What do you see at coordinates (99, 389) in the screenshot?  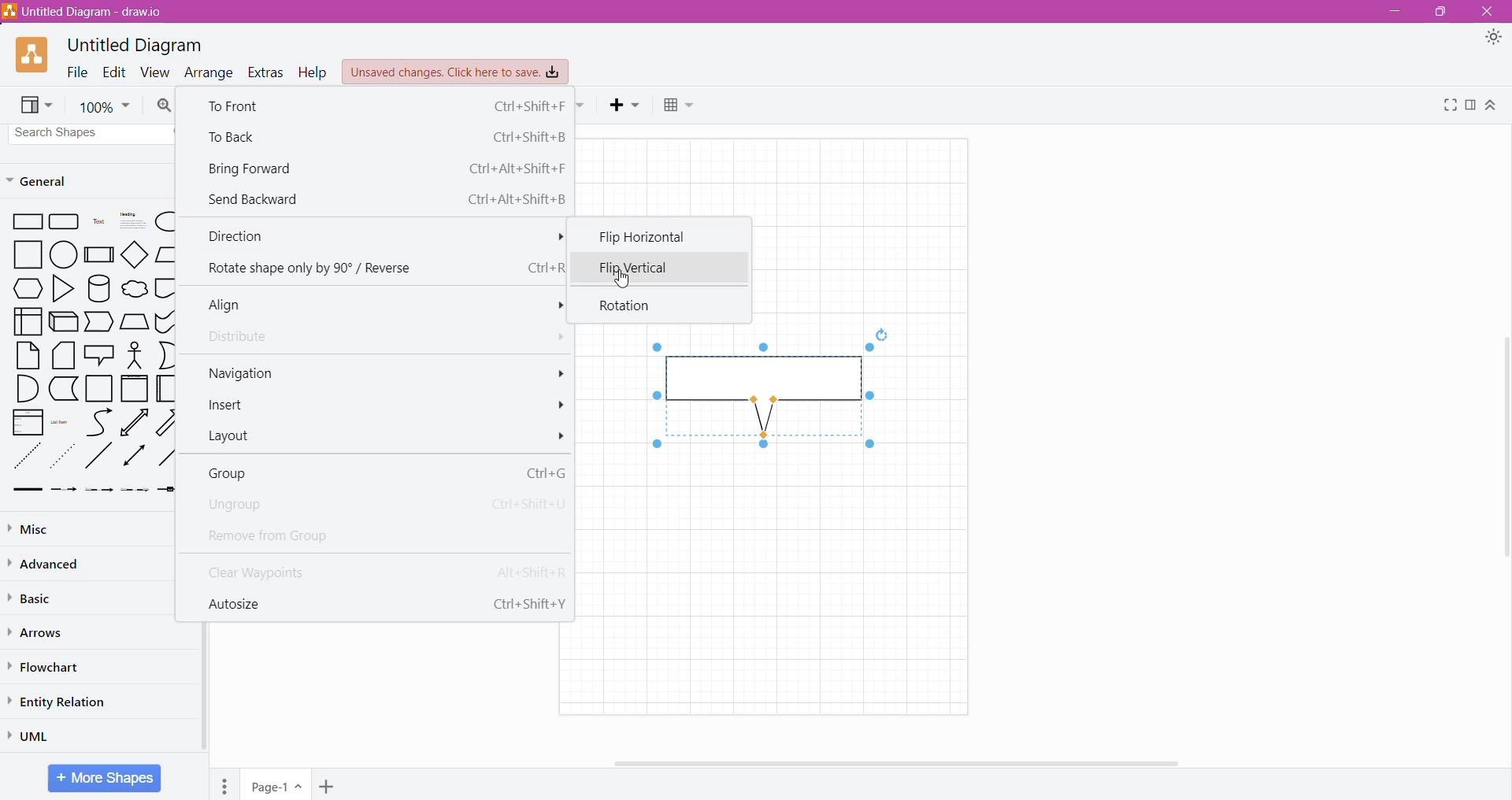 I see `Square ` at bounding box center [99, 389].